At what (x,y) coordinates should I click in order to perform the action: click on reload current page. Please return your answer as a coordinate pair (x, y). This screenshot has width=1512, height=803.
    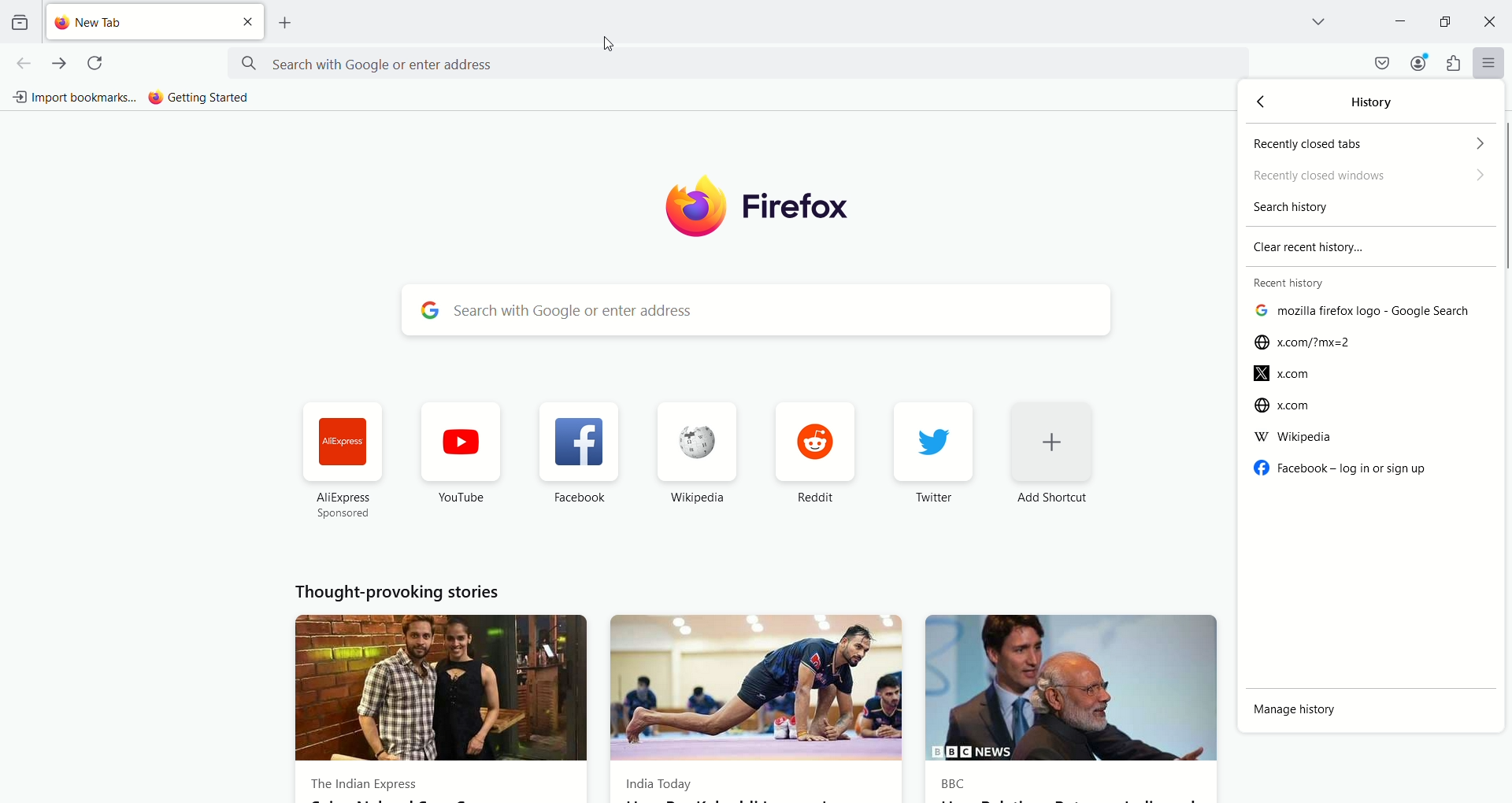
    Looking at the image, I should click on (96, 61).